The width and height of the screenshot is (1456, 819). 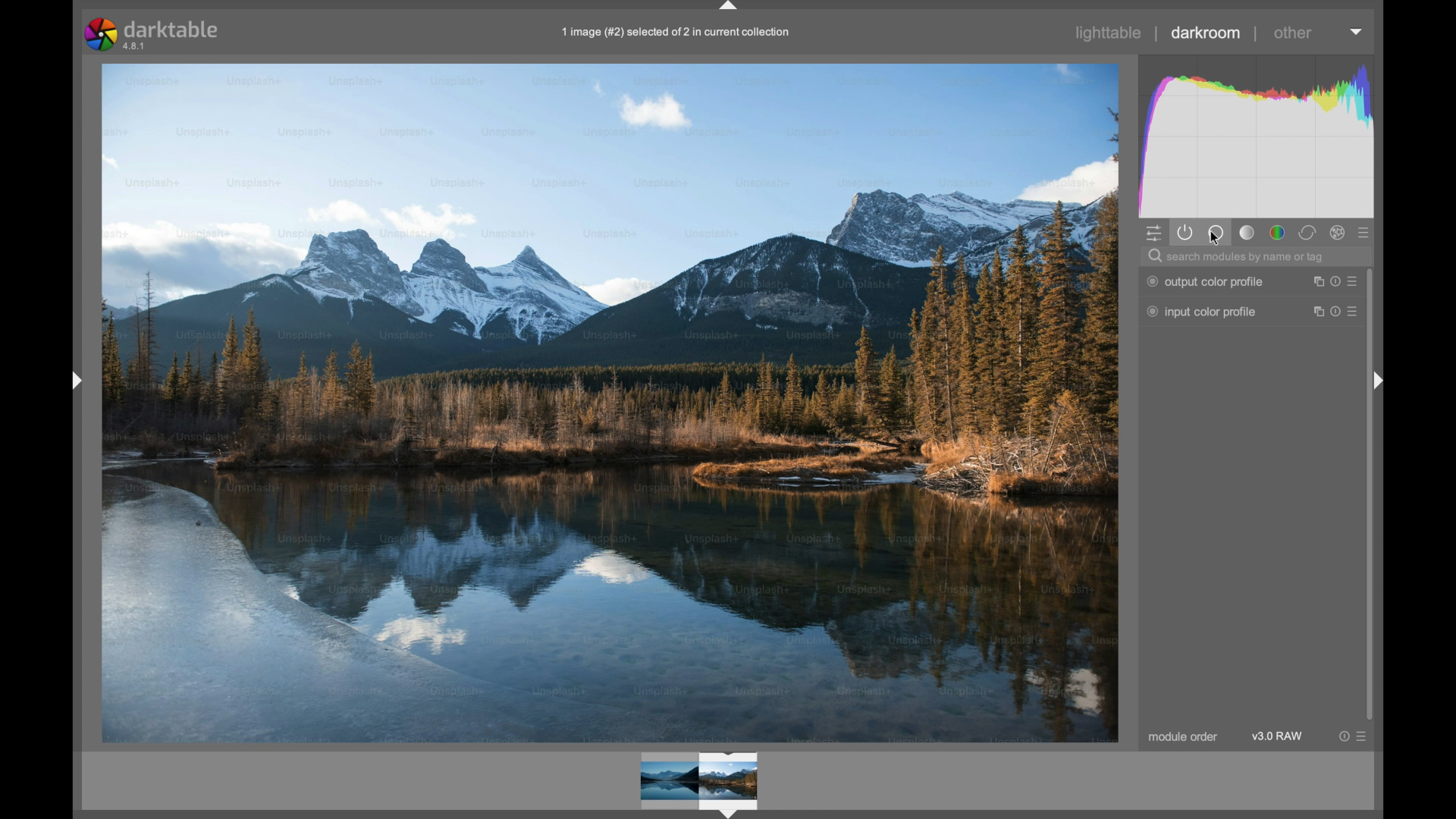 What do you see at coordinates (699, 782) in the screenshot?
I see `preview` at bounding box center [699, 782].